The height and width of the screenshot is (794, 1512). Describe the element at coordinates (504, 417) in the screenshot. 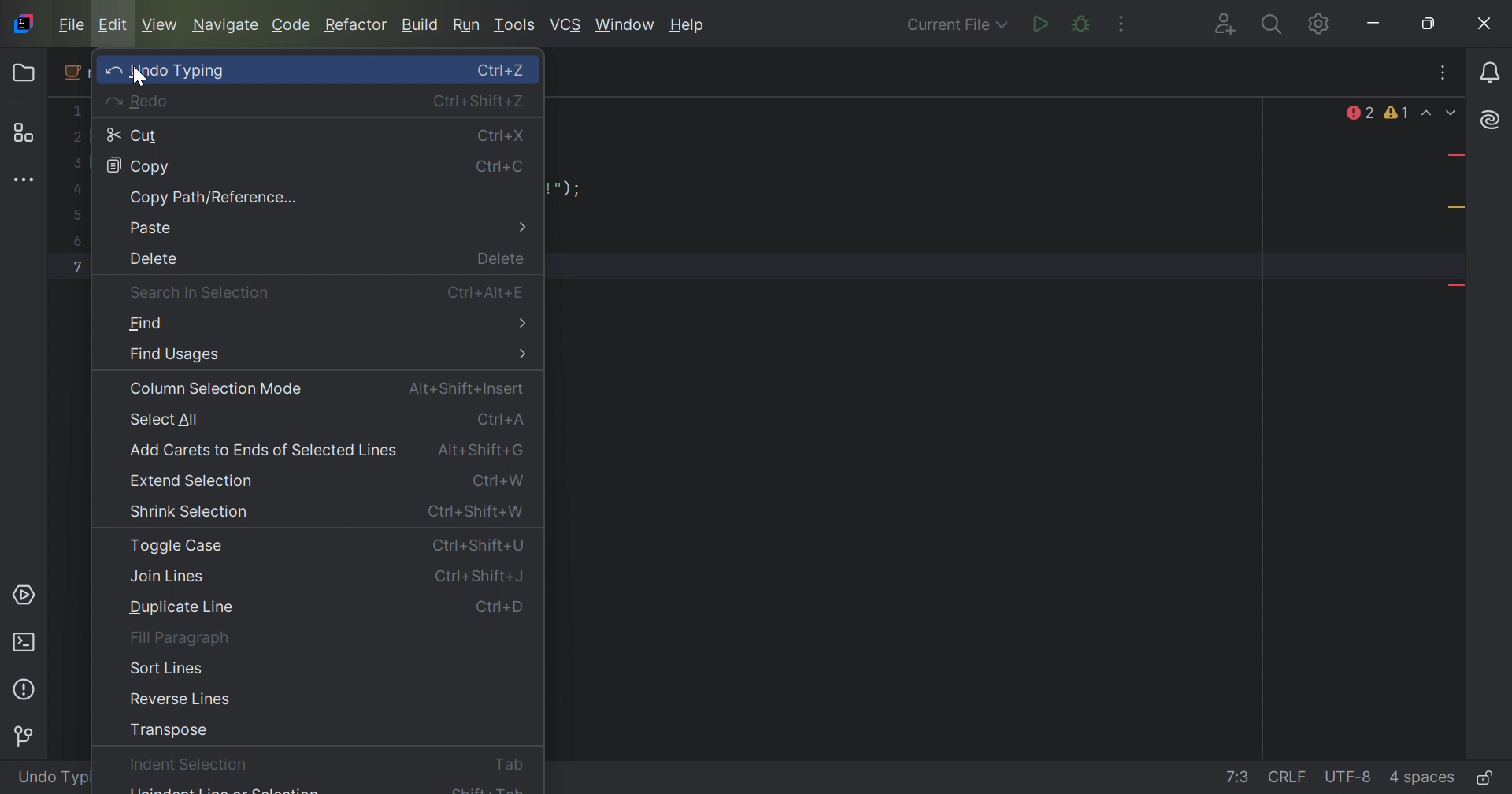

I see `Ctrl+A` at that location.